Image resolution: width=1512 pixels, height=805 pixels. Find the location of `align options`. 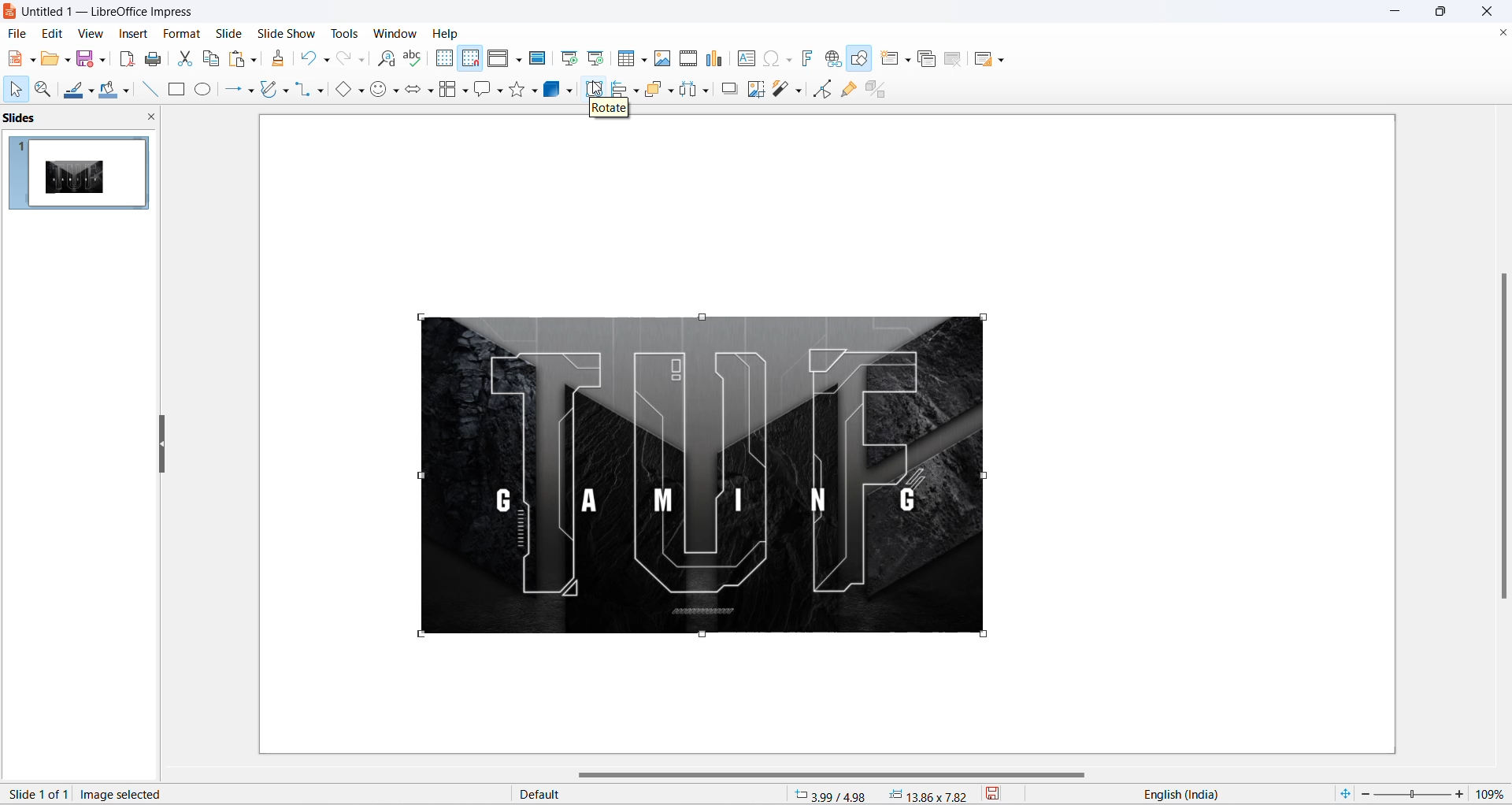

align options is located at coordinates (636, 90).